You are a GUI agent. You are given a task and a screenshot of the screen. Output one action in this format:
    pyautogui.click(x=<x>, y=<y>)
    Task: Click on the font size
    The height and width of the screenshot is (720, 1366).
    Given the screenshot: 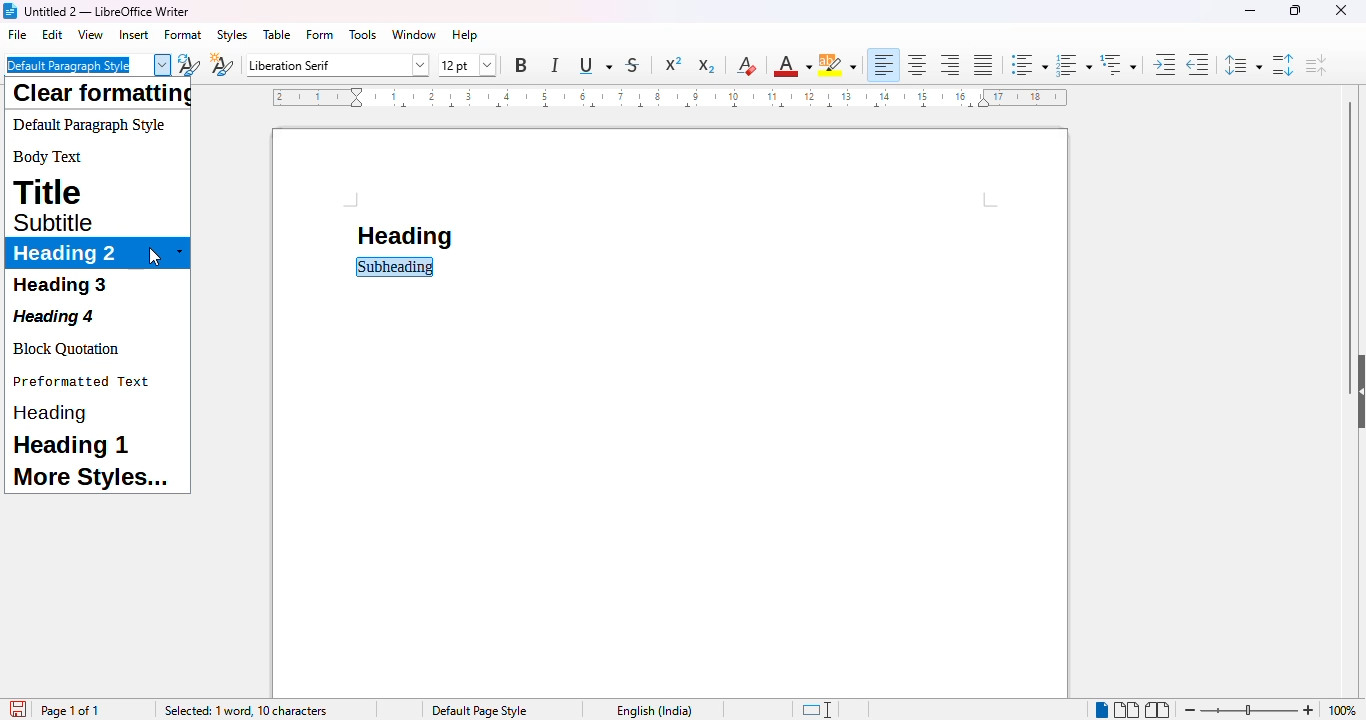 What is the action you would take?
    pyautogui.click(x=468, y=66)
    